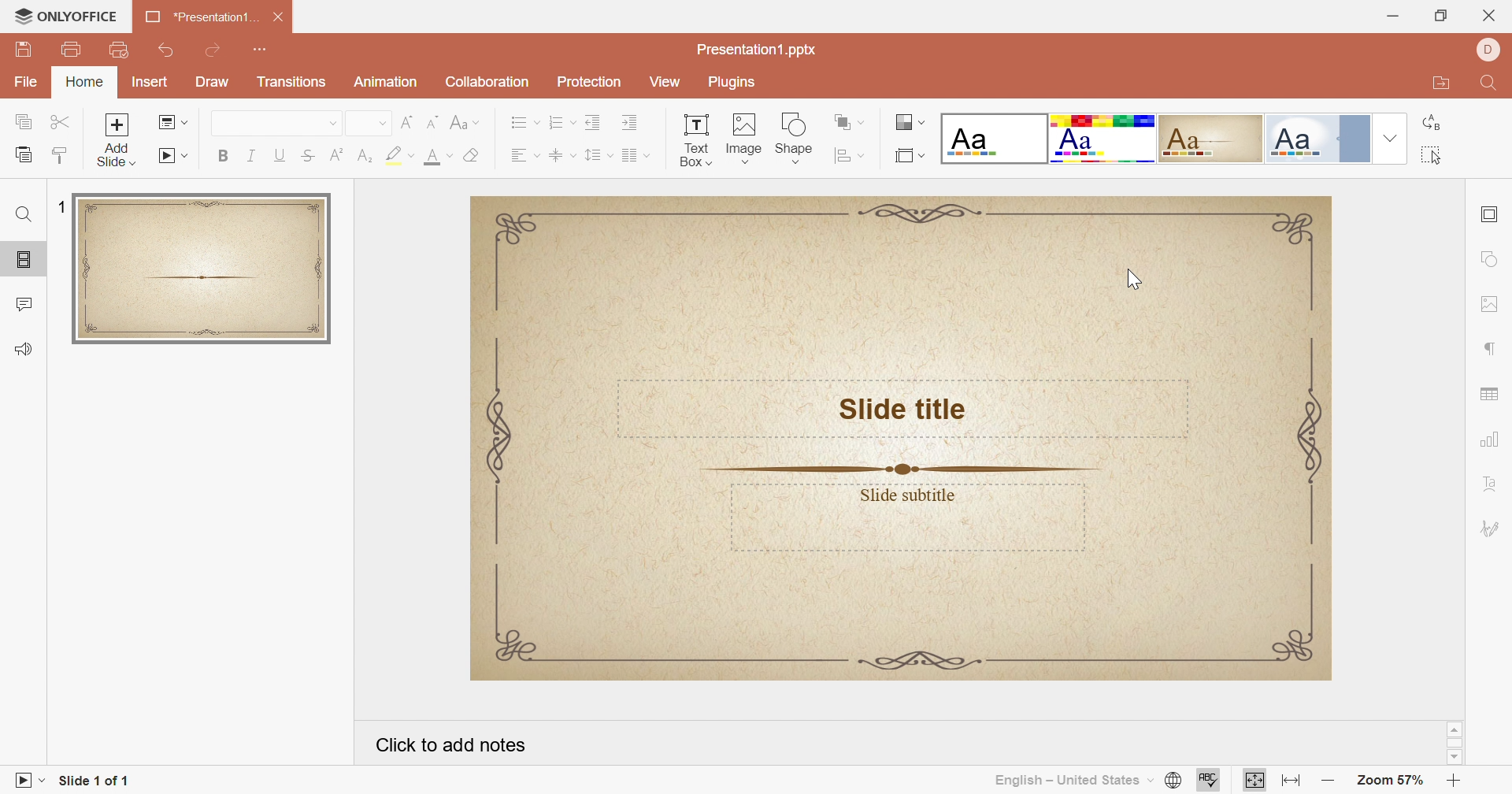 The width and height of the screenshot is (1512, 794). What do you see at coordinates (434, 121) in the screenshot?
I see `Decrement font size` at bounding box center [434, 121].